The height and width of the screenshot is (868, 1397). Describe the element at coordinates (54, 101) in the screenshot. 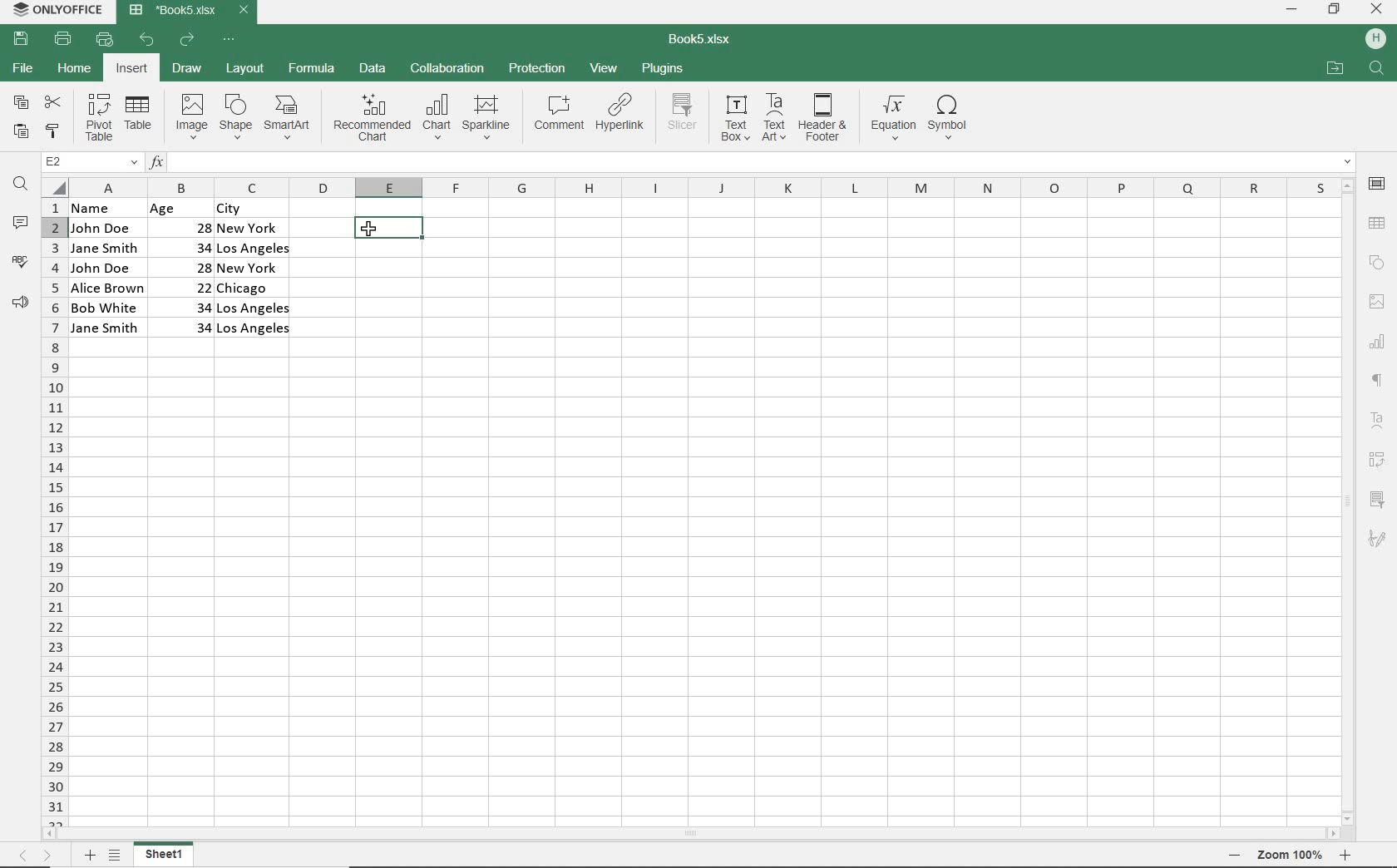

I see `CUT` at that location.